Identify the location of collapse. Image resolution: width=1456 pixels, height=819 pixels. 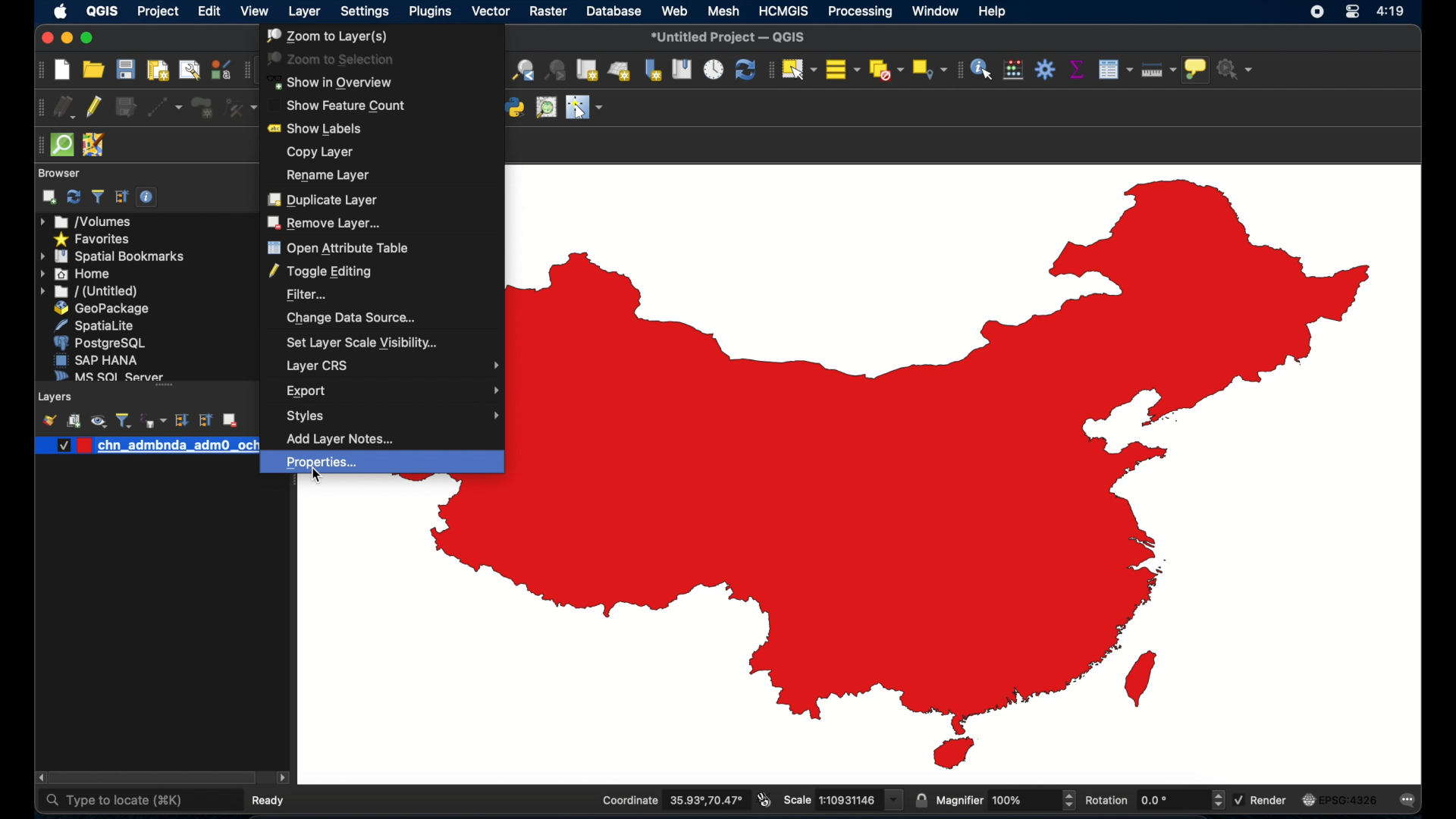
(204, 420).